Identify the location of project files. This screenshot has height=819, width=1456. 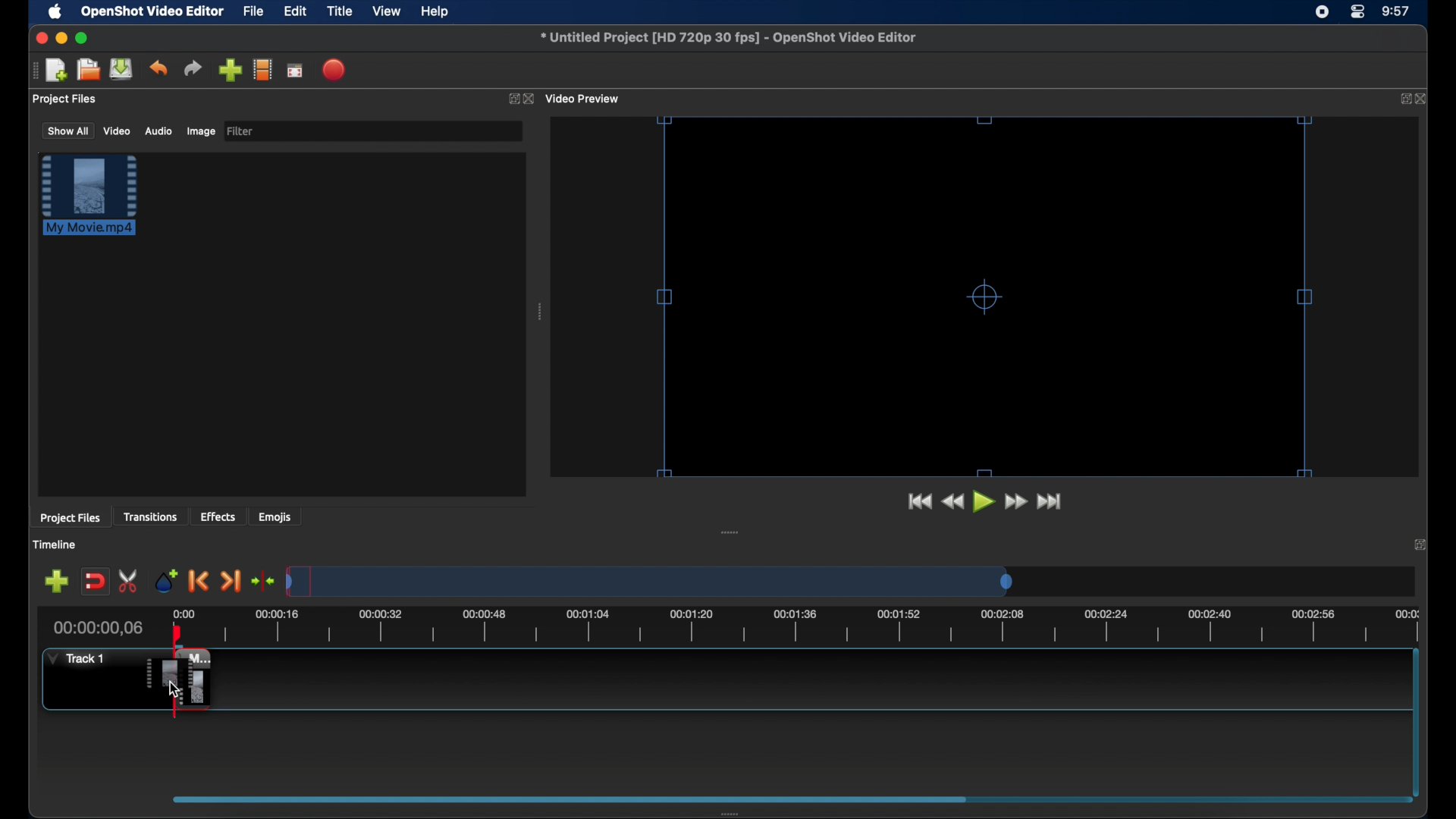
(70, 518).